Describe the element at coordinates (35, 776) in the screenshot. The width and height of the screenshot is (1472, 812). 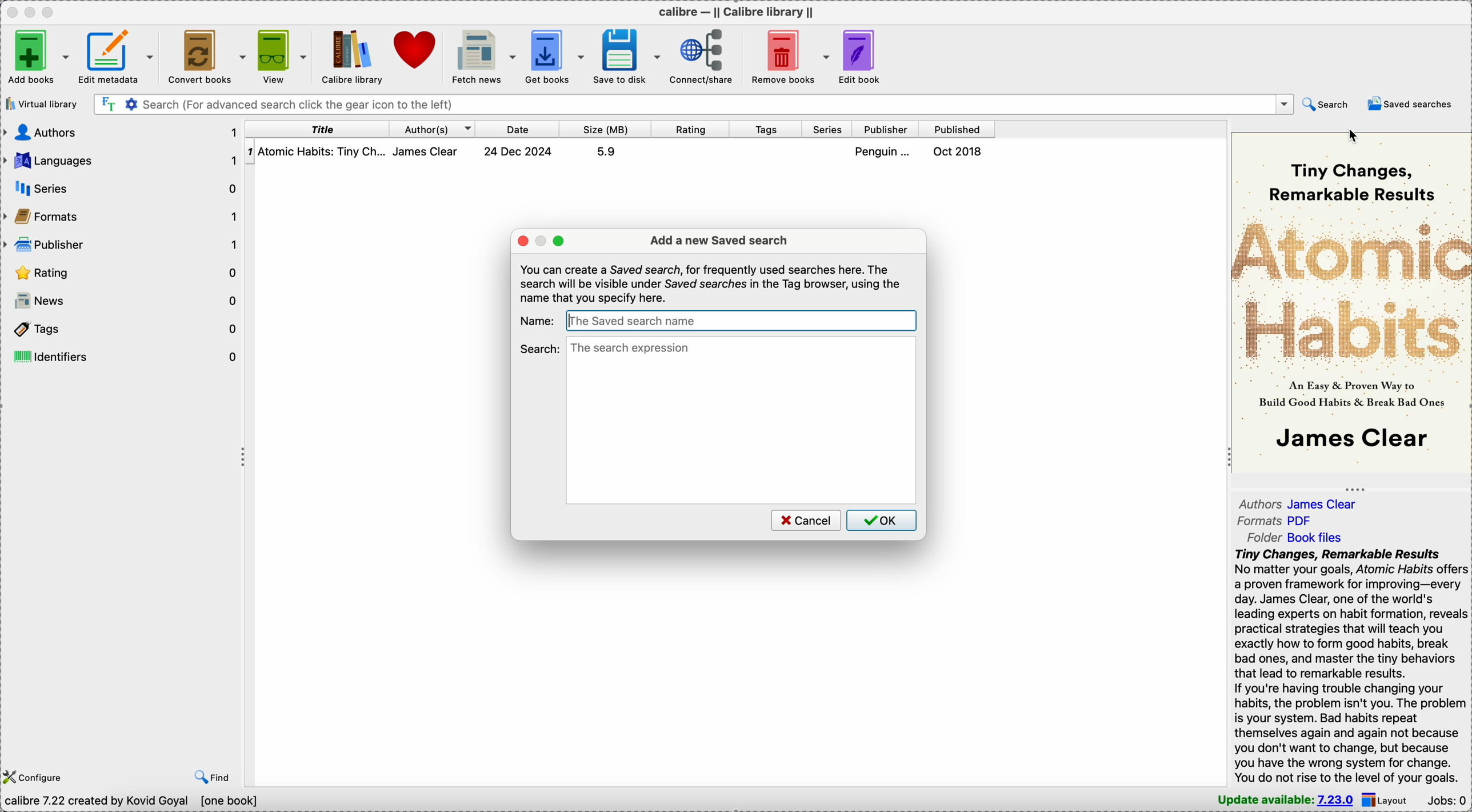
I see `configure` at that location.